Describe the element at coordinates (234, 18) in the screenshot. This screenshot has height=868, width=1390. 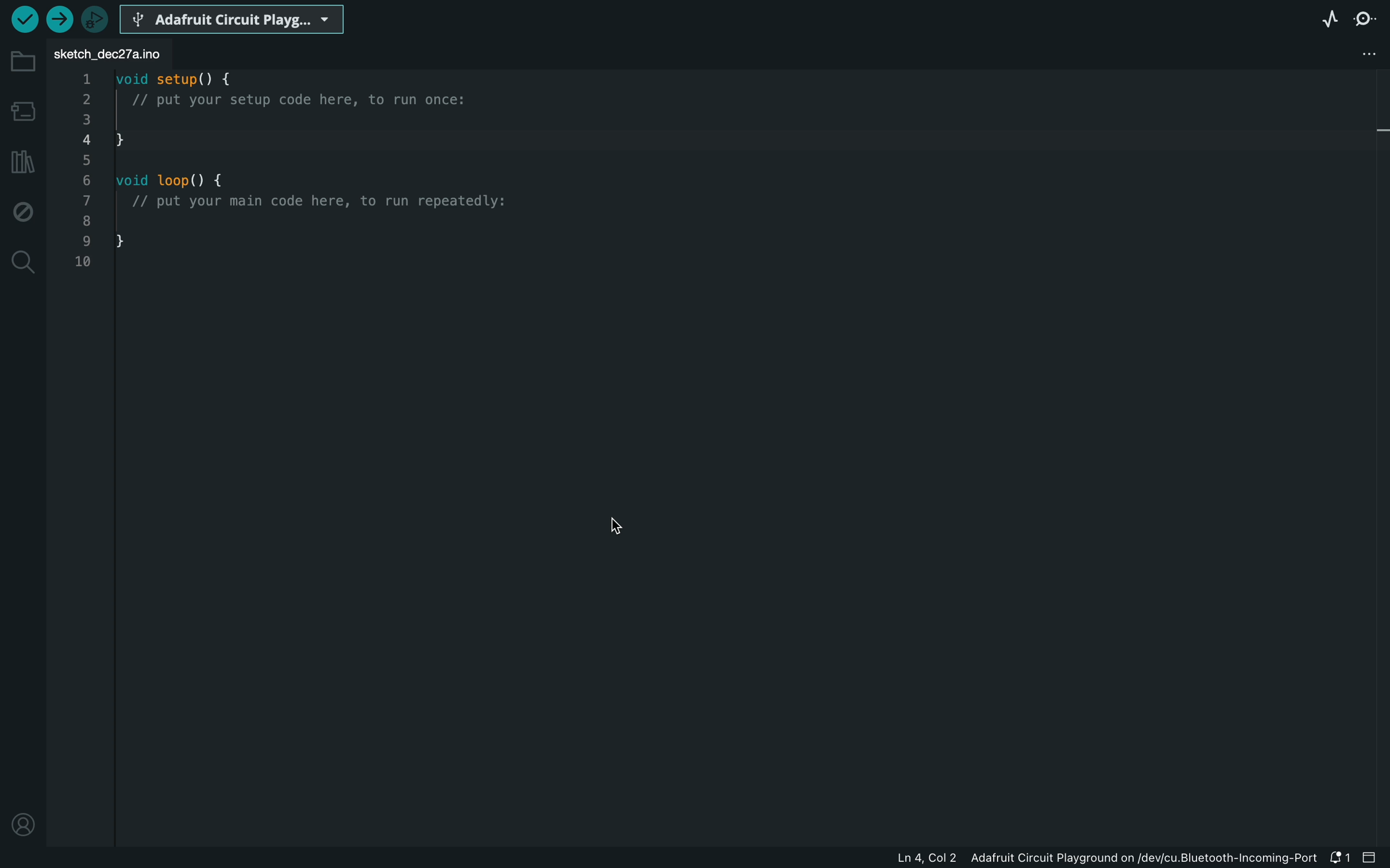
I see `BOARD SELECTER` at that location.